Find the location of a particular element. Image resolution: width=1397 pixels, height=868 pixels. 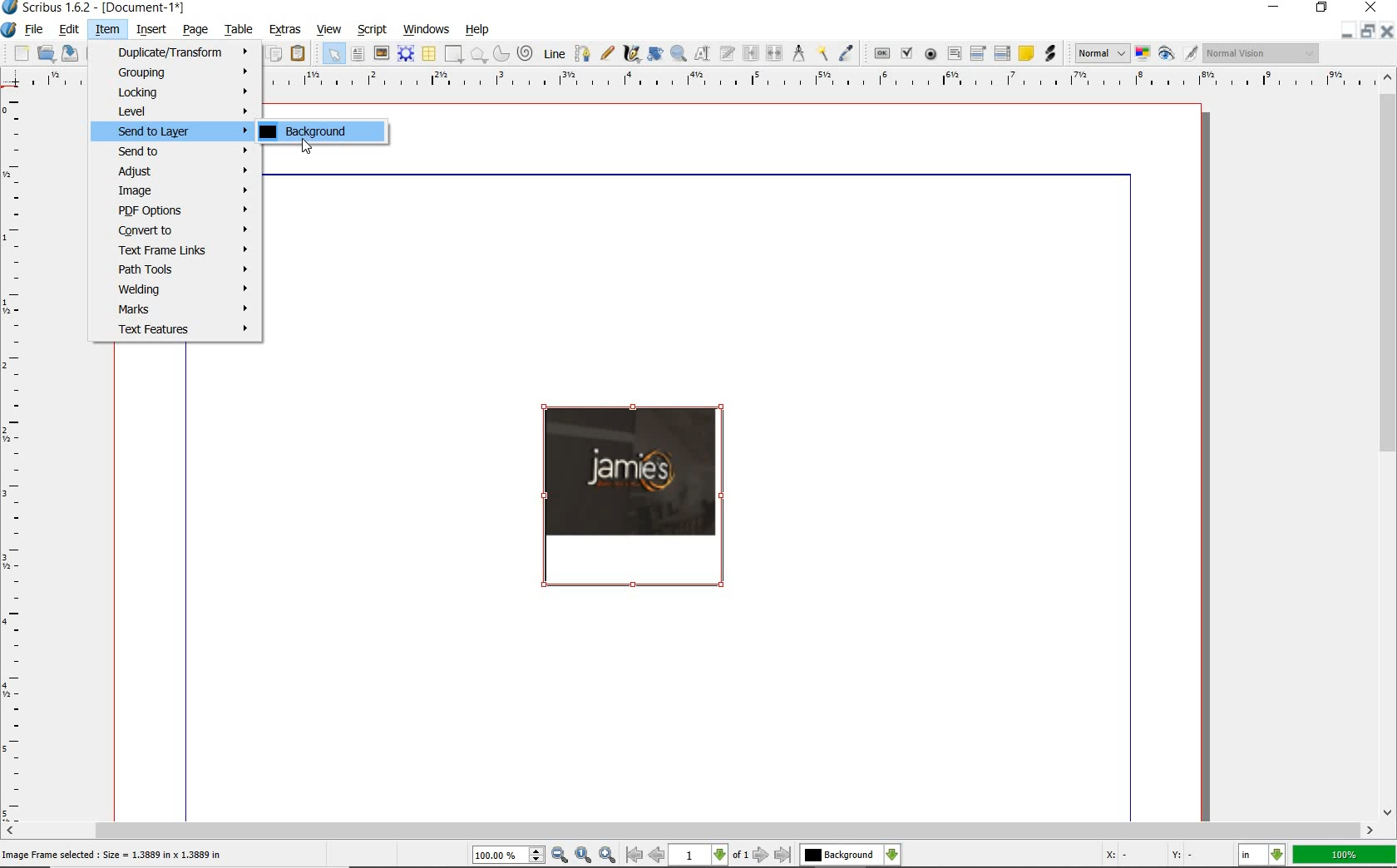

system logo is located at coordinates (8, 29).